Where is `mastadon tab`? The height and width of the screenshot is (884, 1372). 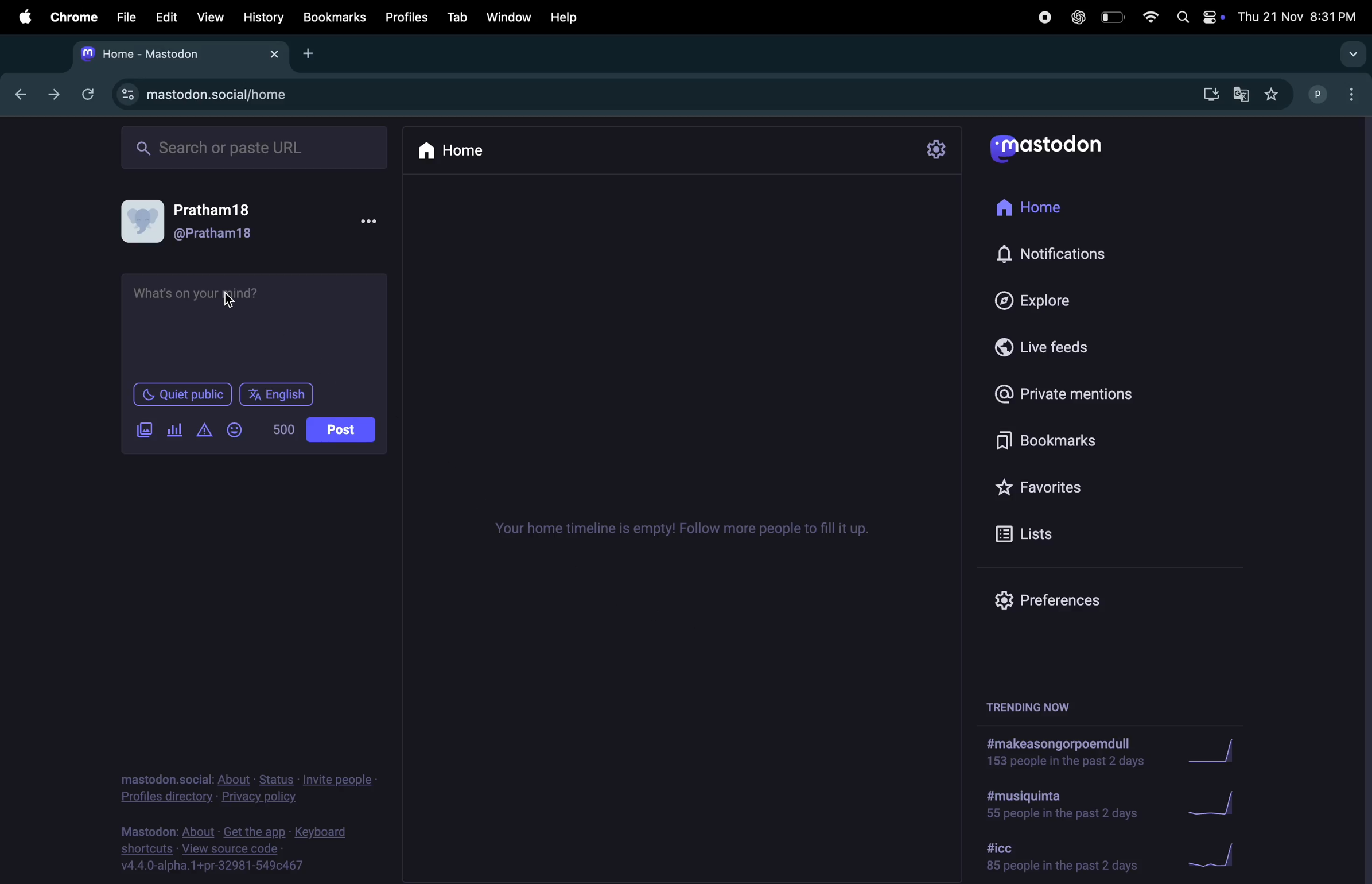 mastadon tab is located at coordinates (145, 55).